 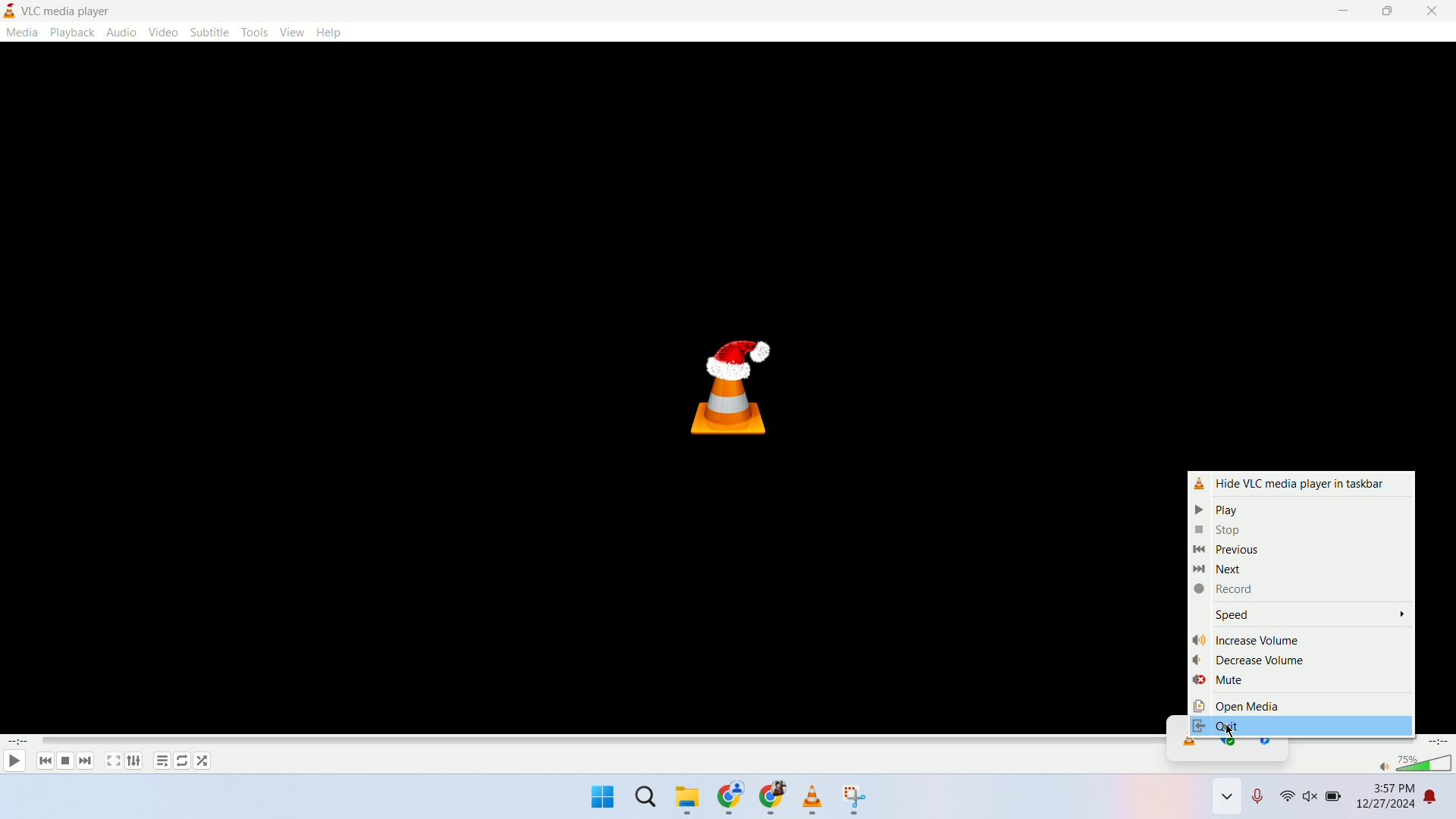 What do you see at coordinates (86, 761) in the screenshot?
I see `next track` at bounding box center [86, 761].